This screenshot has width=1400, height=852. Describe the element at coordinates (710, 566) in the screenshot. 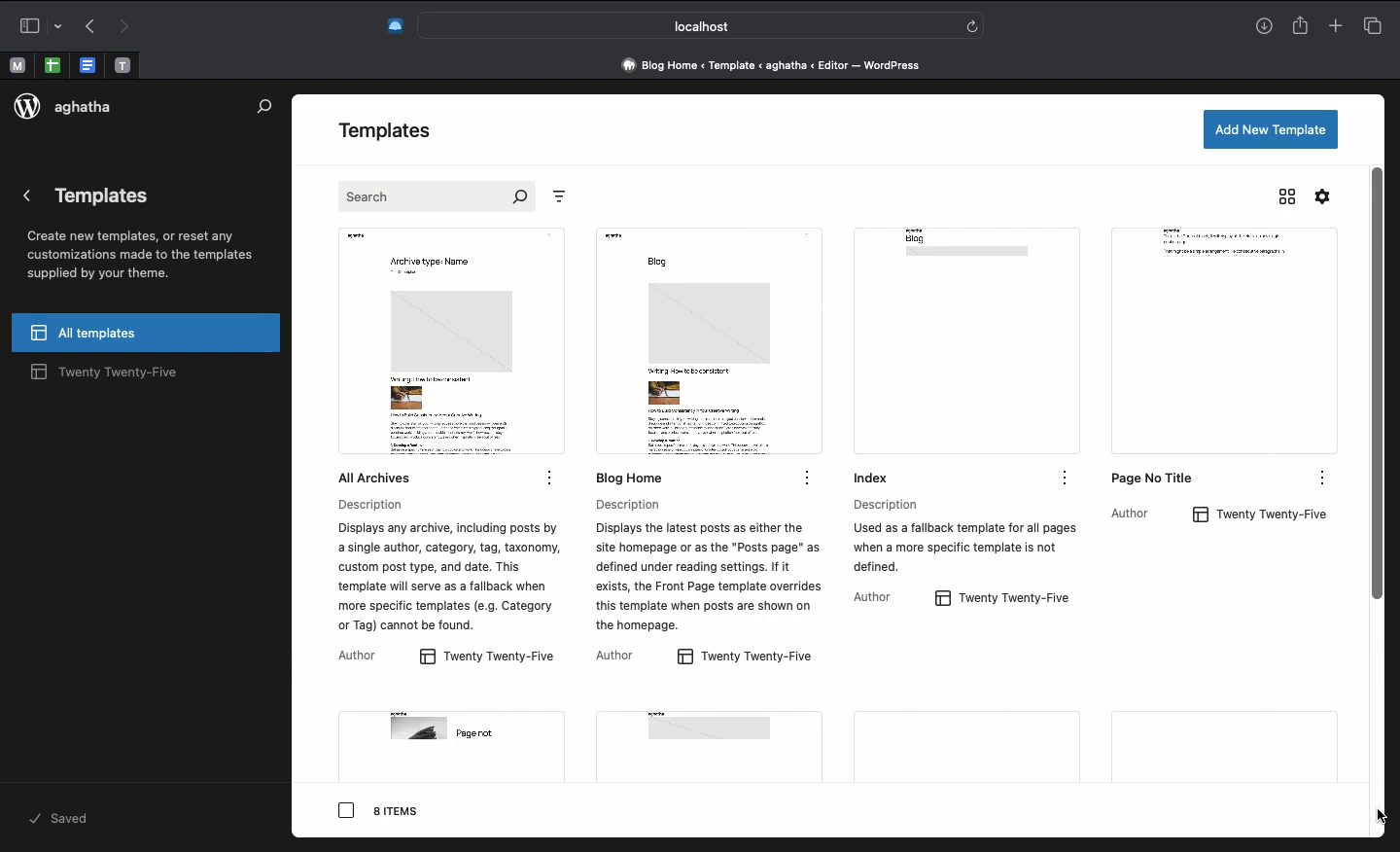

I see `Description` at that location.